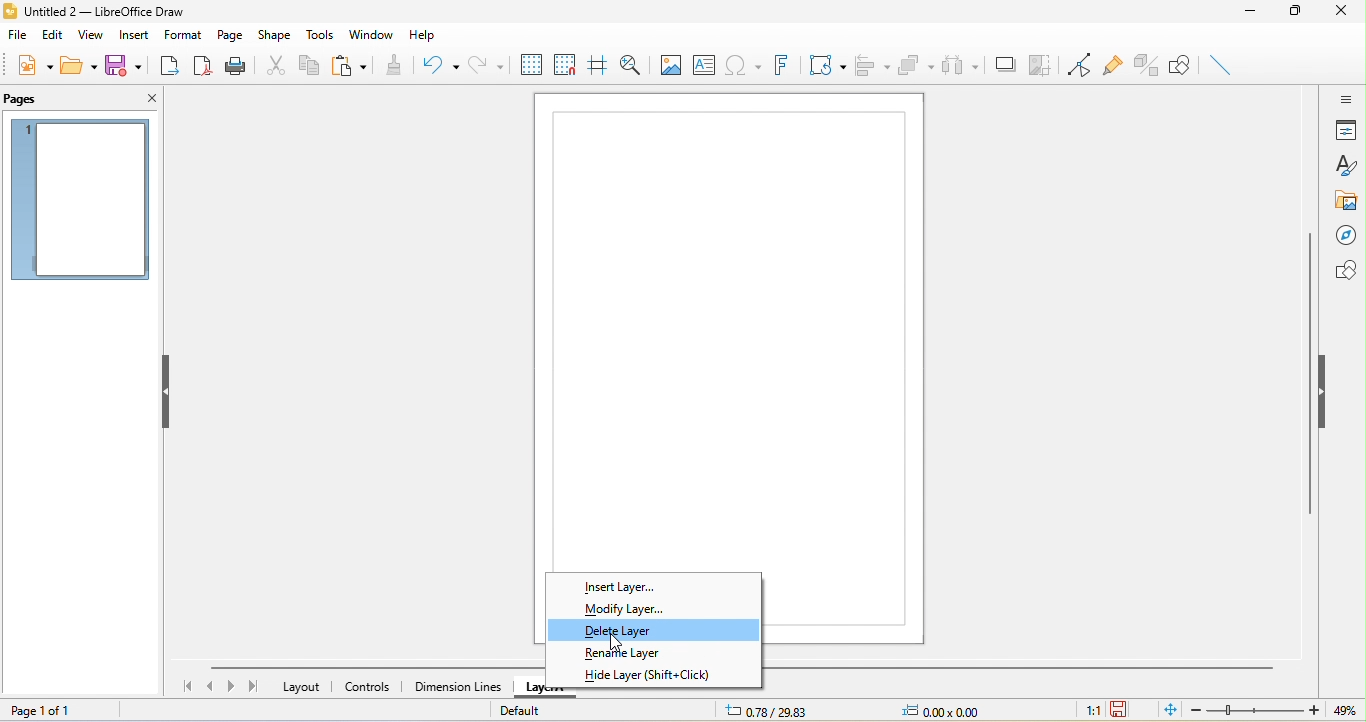  I want to click on cursor movement, so click(620, 641).